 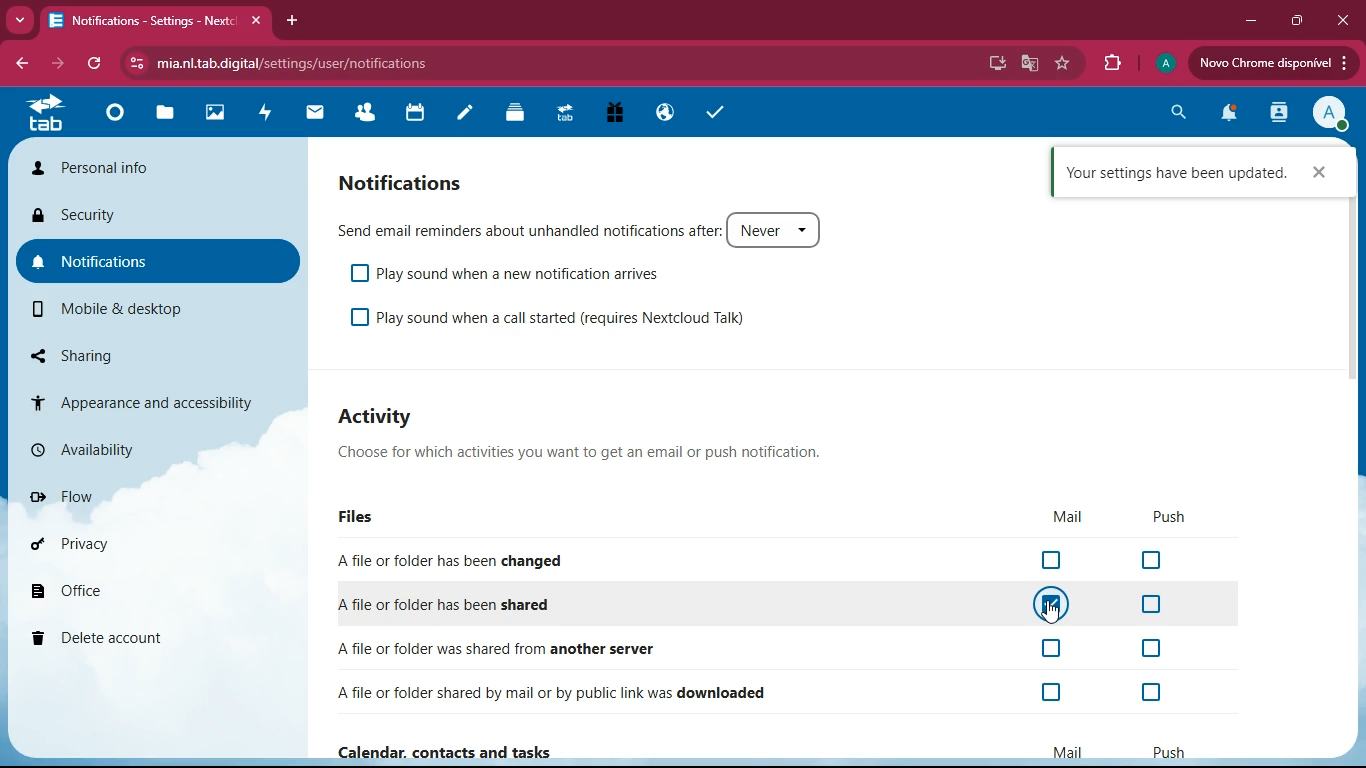 What do you see at coordinates (412, 179) in the screenshot?
I see `notifications` at bounding box center [412, 179].